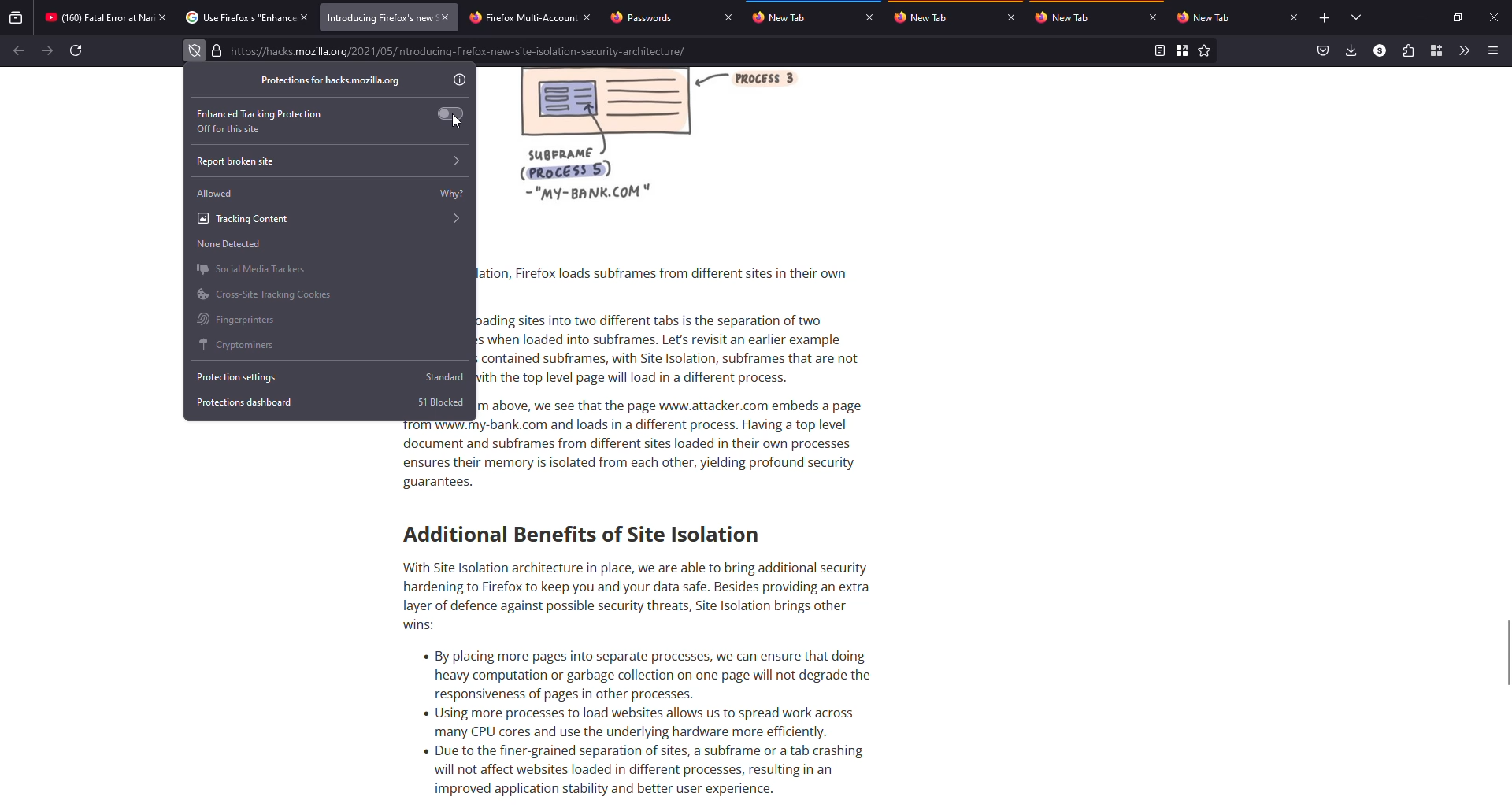  What do you see at coordinates (1206, 17) in the screenshot?
I see `tab` at bounding box center [1206, 17].